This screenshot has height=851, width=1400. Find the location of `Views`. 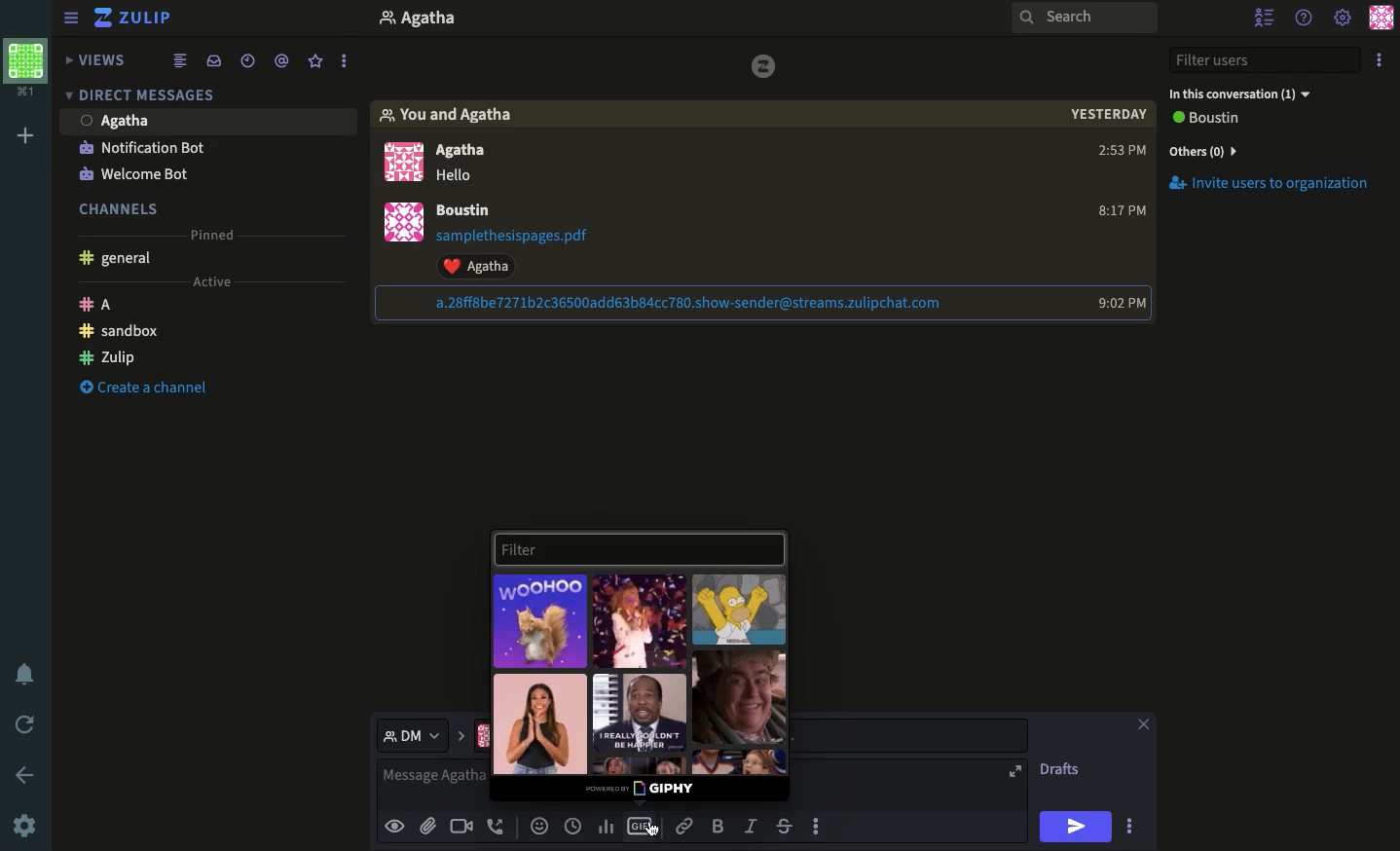

Views is located at coordinates (95, 59).